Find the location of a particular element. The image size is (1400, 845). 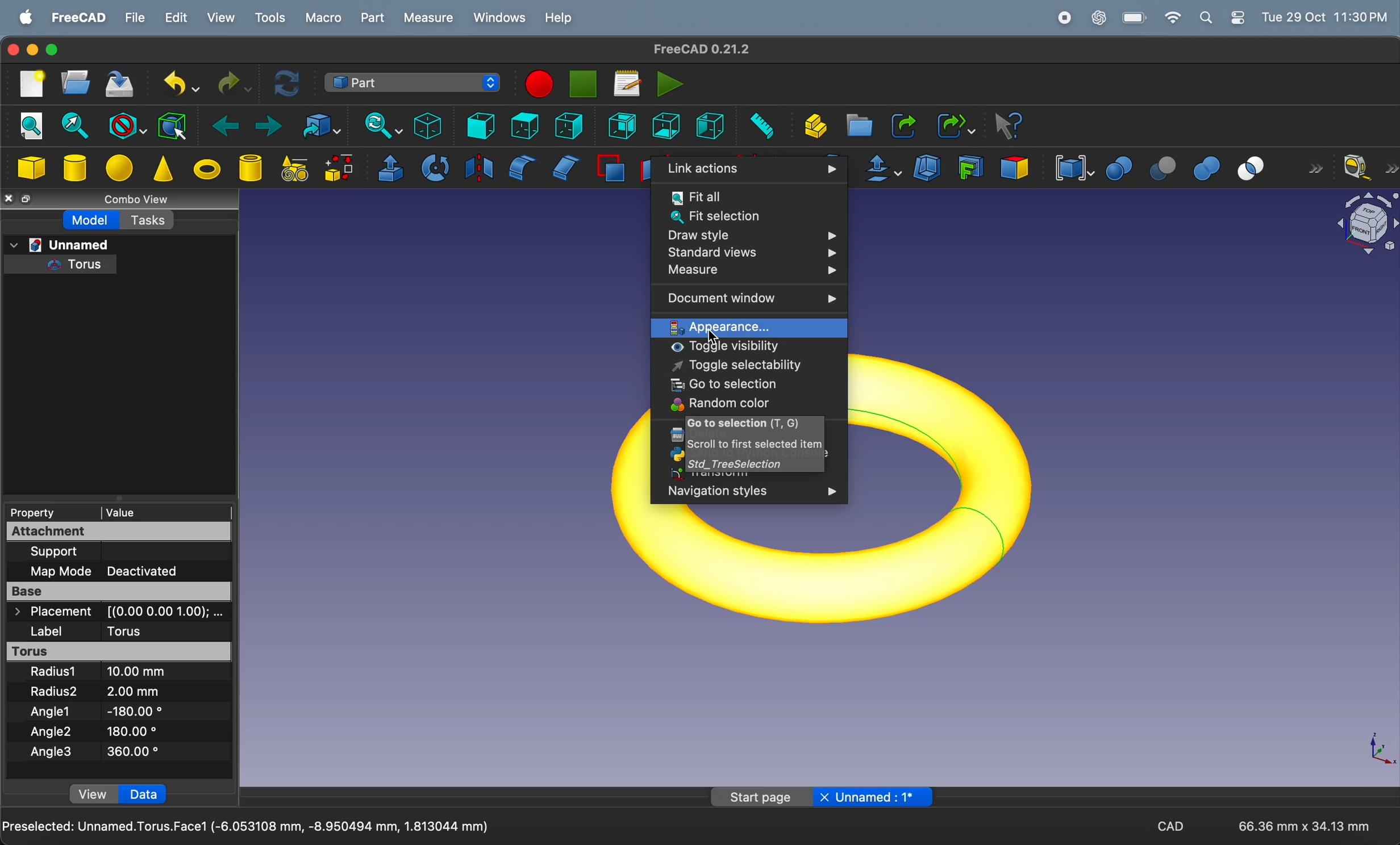

save is located at coordinates (124, 86).